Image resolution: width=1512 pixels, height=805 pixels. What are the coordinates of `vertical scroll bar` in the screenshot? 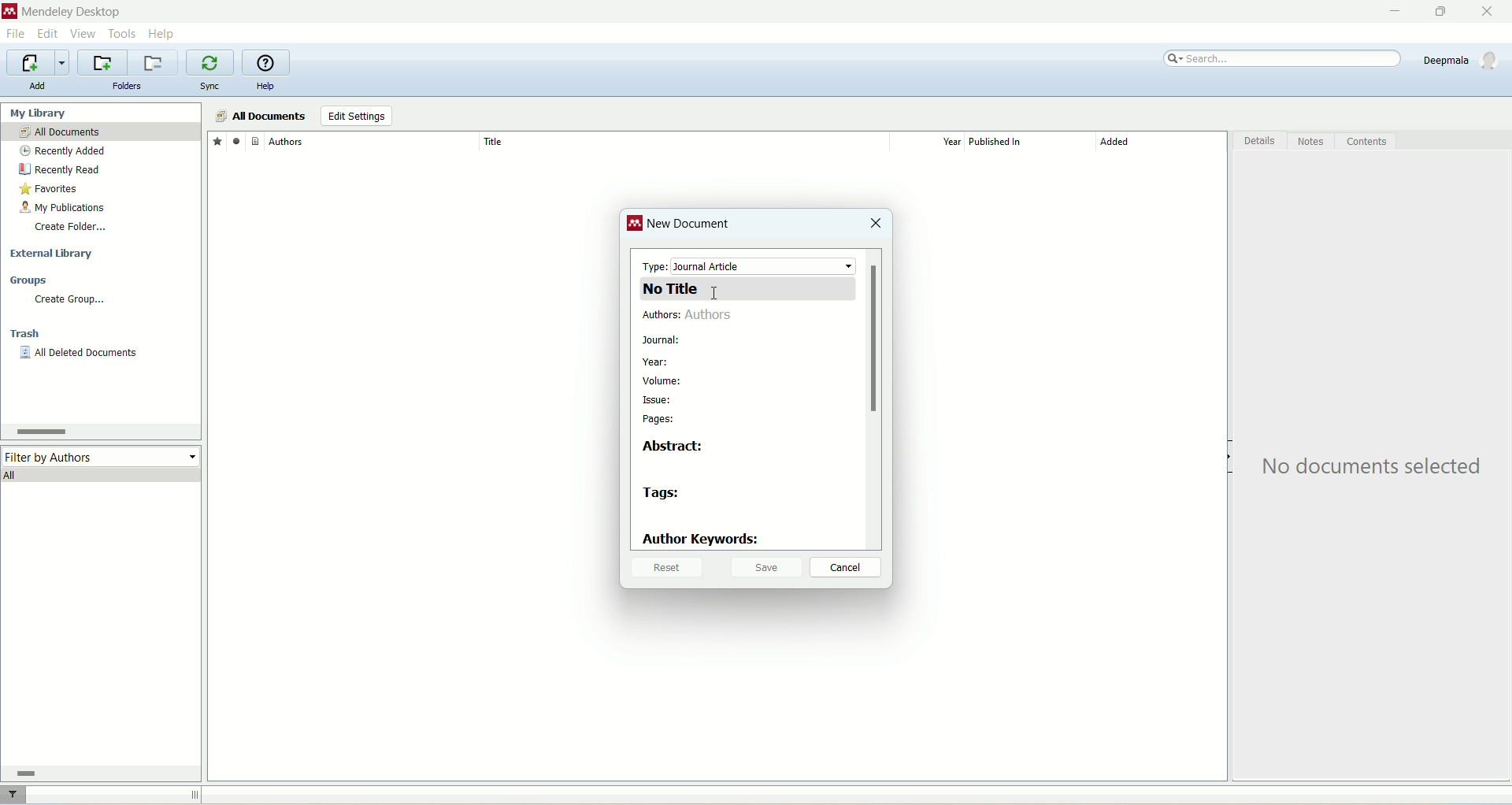 It's located at (873, 398).